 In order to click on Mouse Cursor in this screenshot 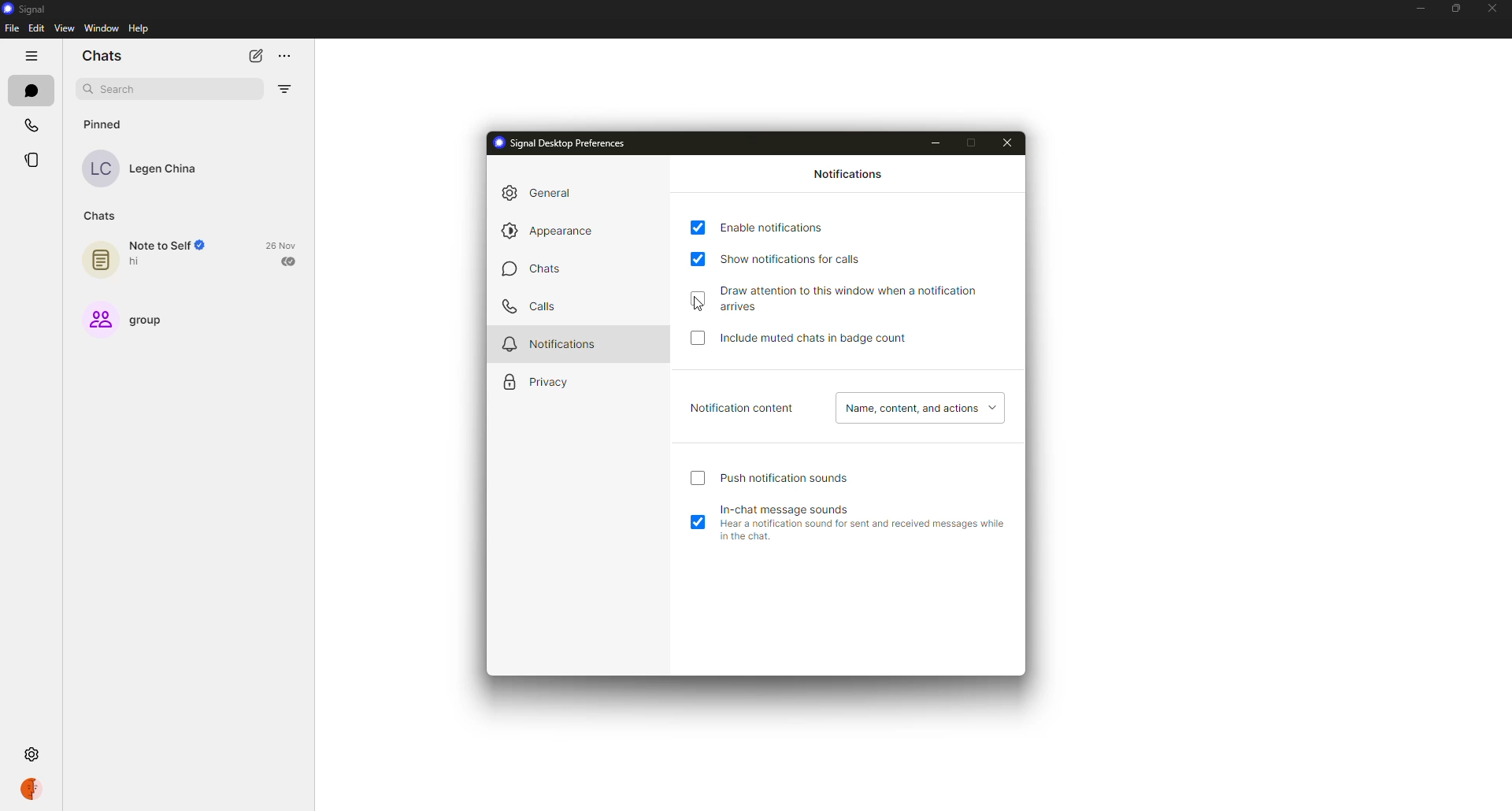, I will do `click(702, 306)`.